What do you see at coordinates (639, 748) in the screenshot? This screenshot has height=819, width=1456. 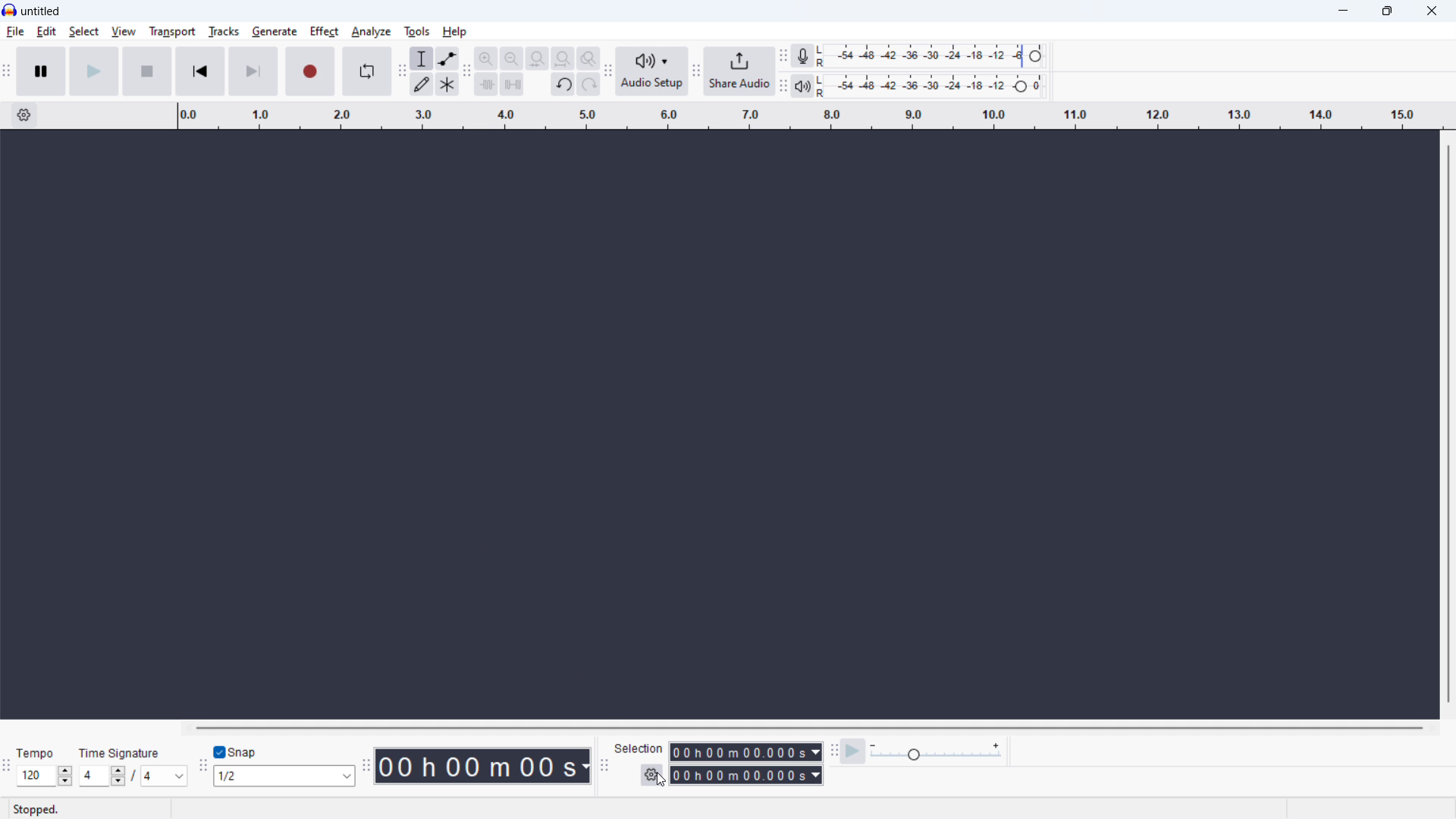 I see `selection` at bounding box center [639, 748].